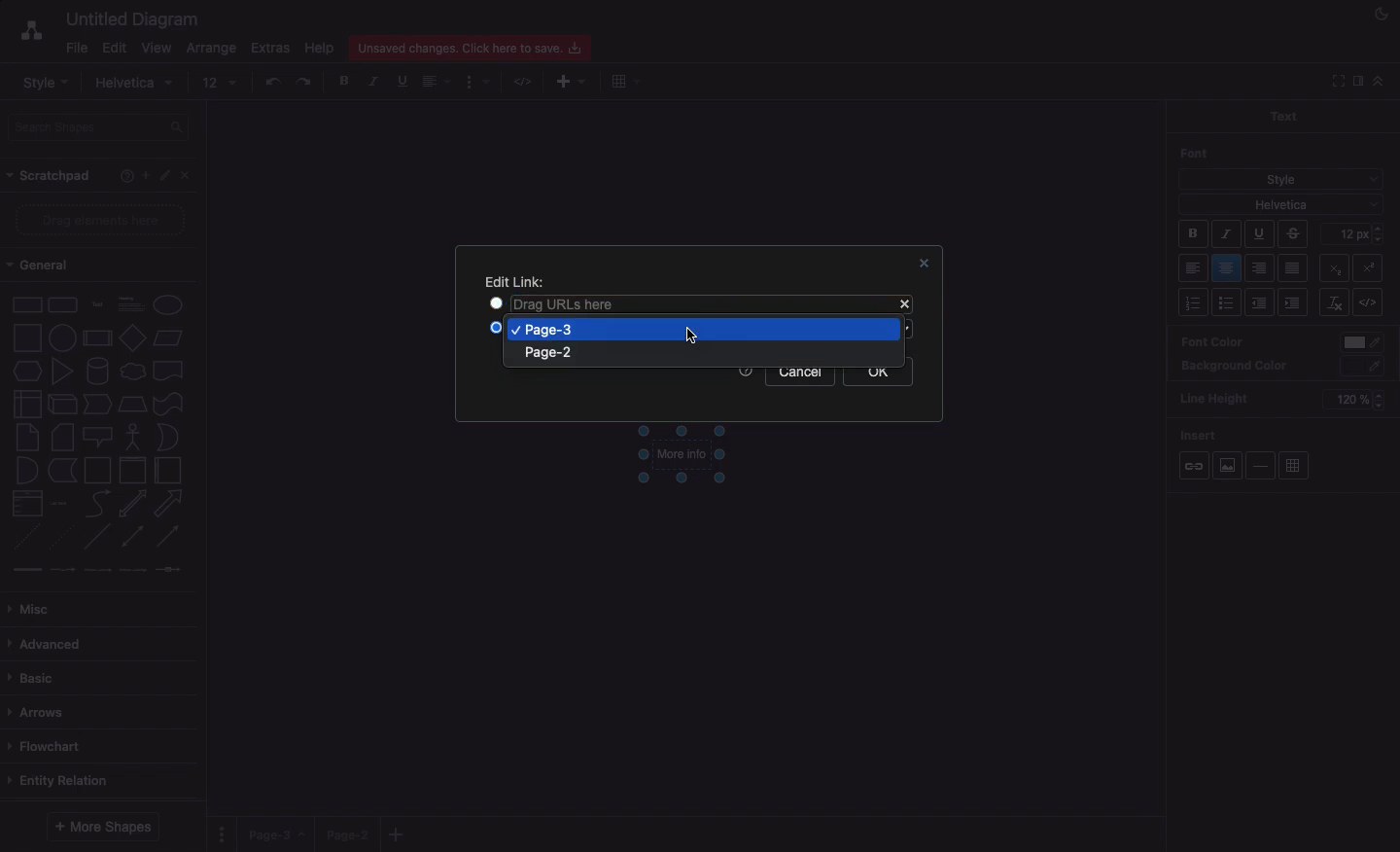 The height and width of the screenshot is (852, 1400). Describe the element at coordinates (100, 127) in the screenshot. I see `Search shapes` at that location.